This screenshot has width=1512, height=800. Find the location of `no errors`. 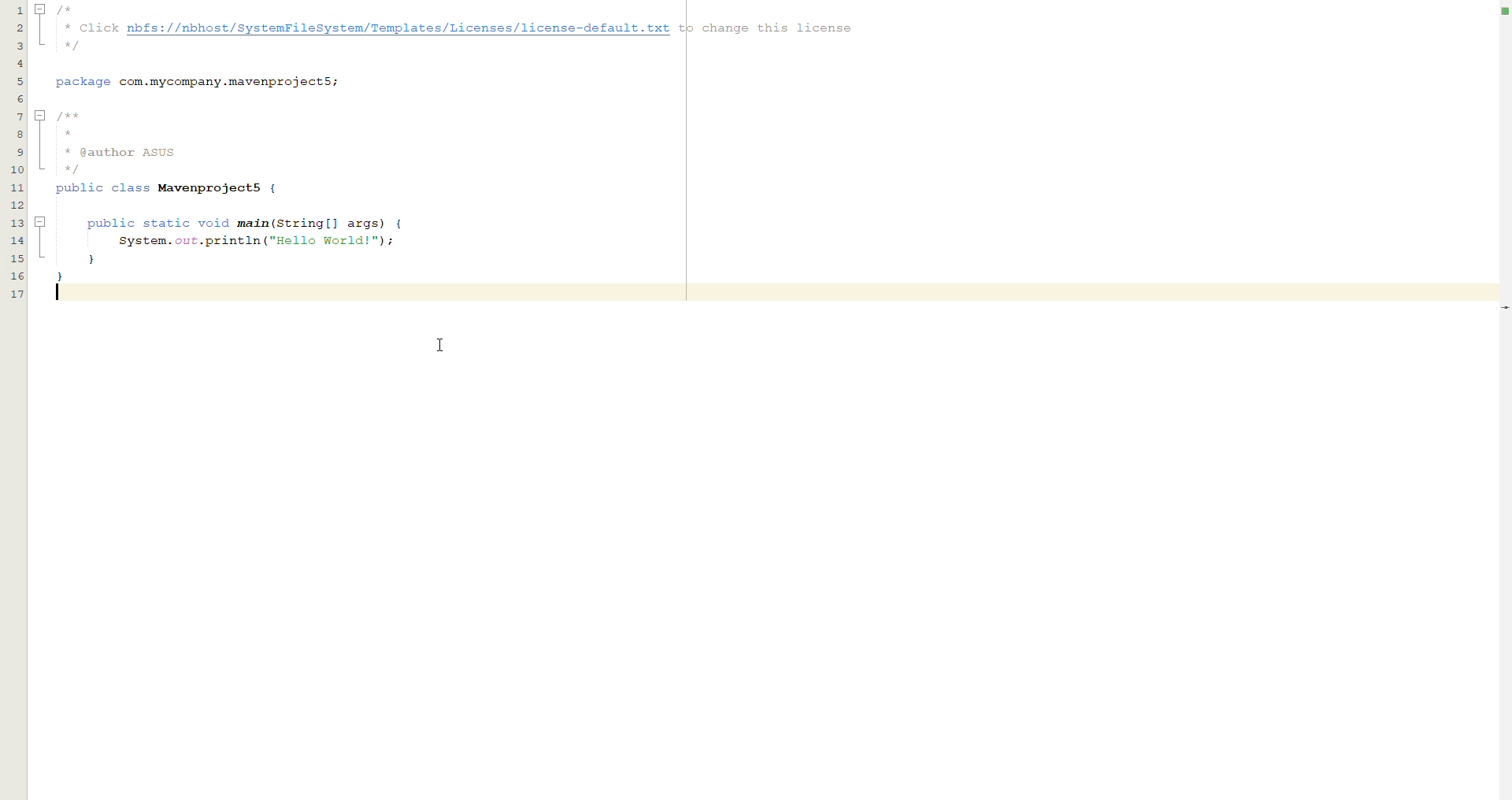

no errors is located at coordinates (1503, 13).